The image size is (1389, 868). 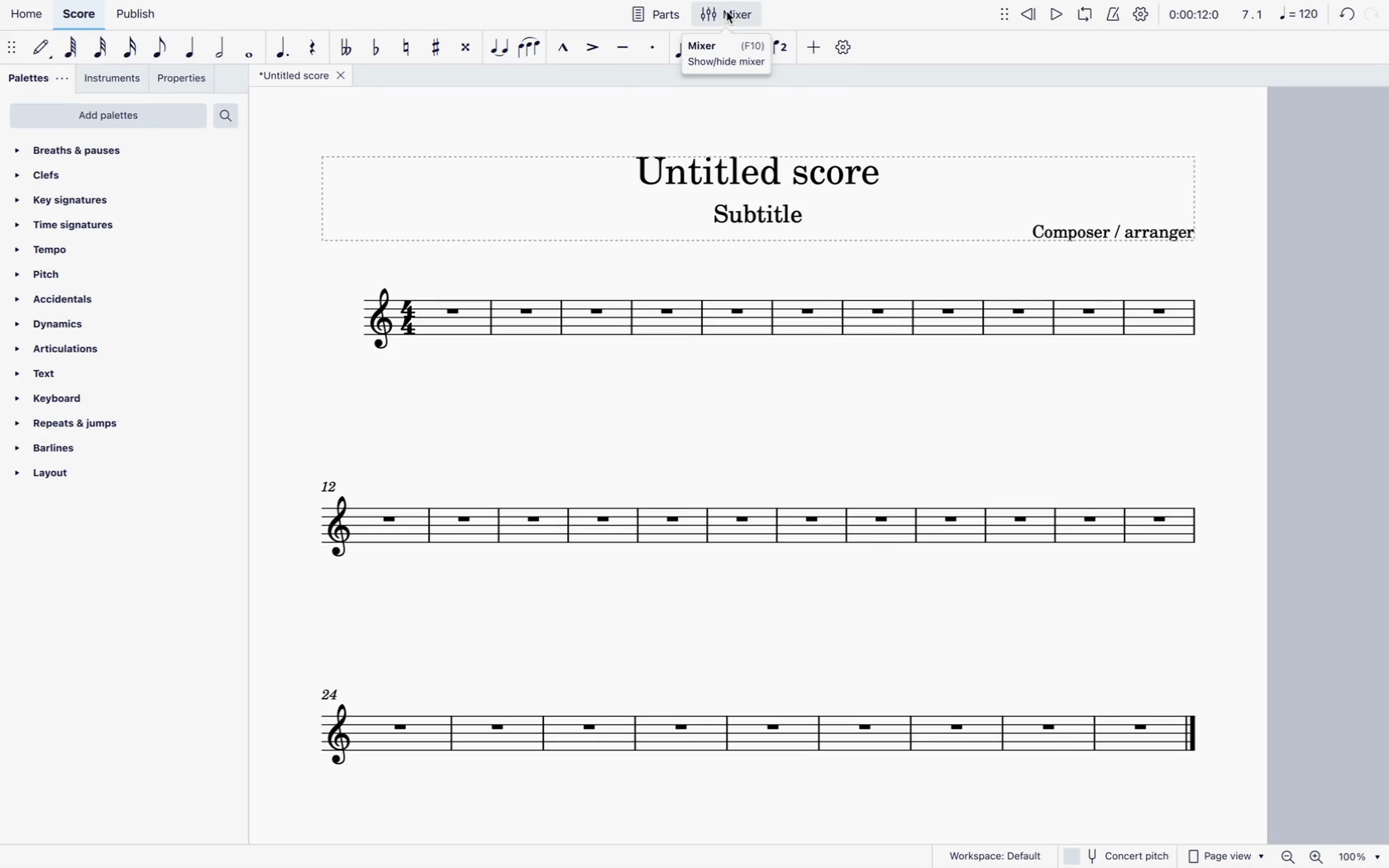 What do you see at coordinates (114, 80) in the screenshot?
I see `instruments` at bounding box center [114, 80].